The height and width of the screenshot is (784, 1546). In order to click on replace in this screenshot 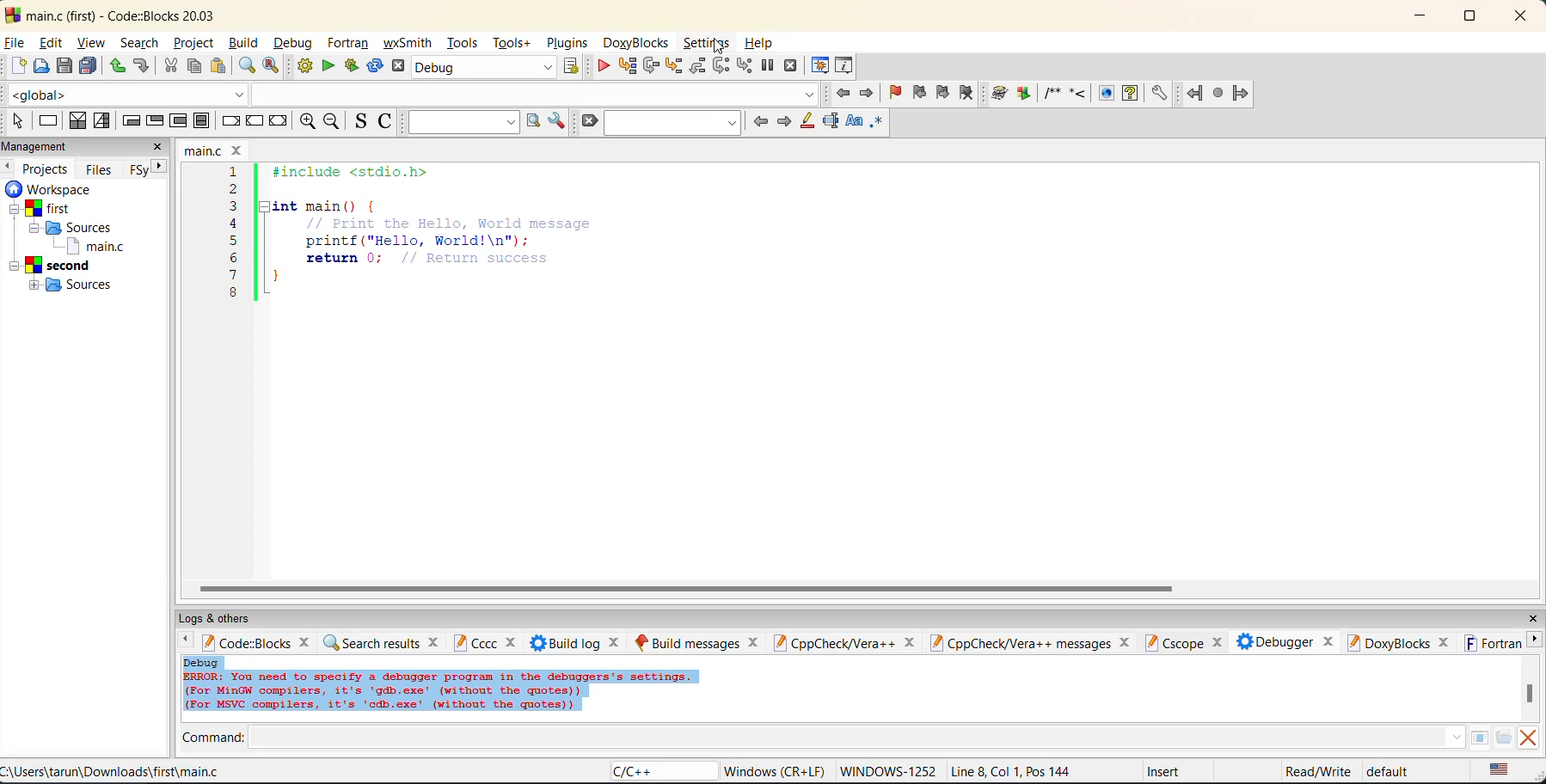, I will do `click(273, 67)`.